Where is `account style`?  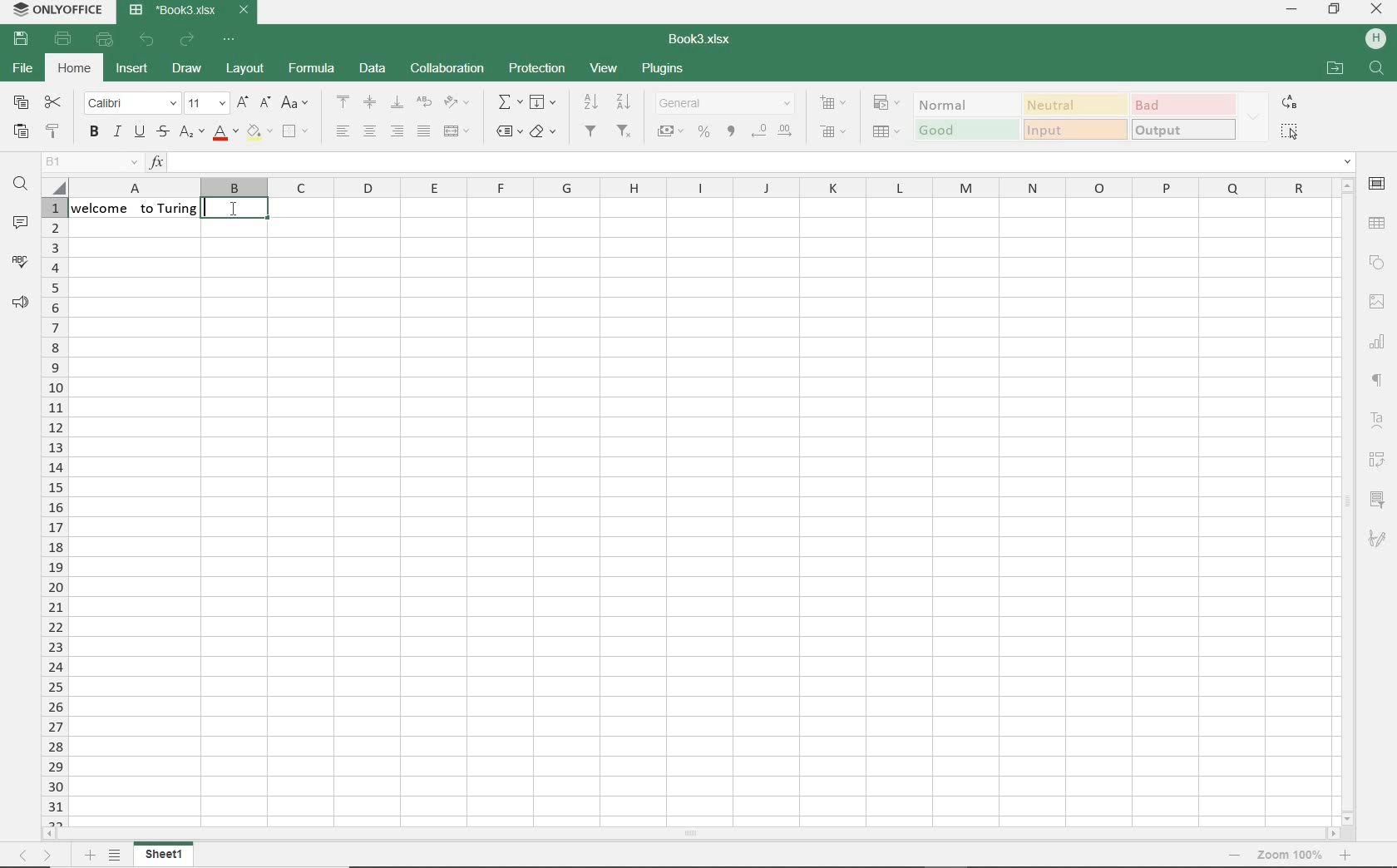
account style is located at coordinates (671, 131).